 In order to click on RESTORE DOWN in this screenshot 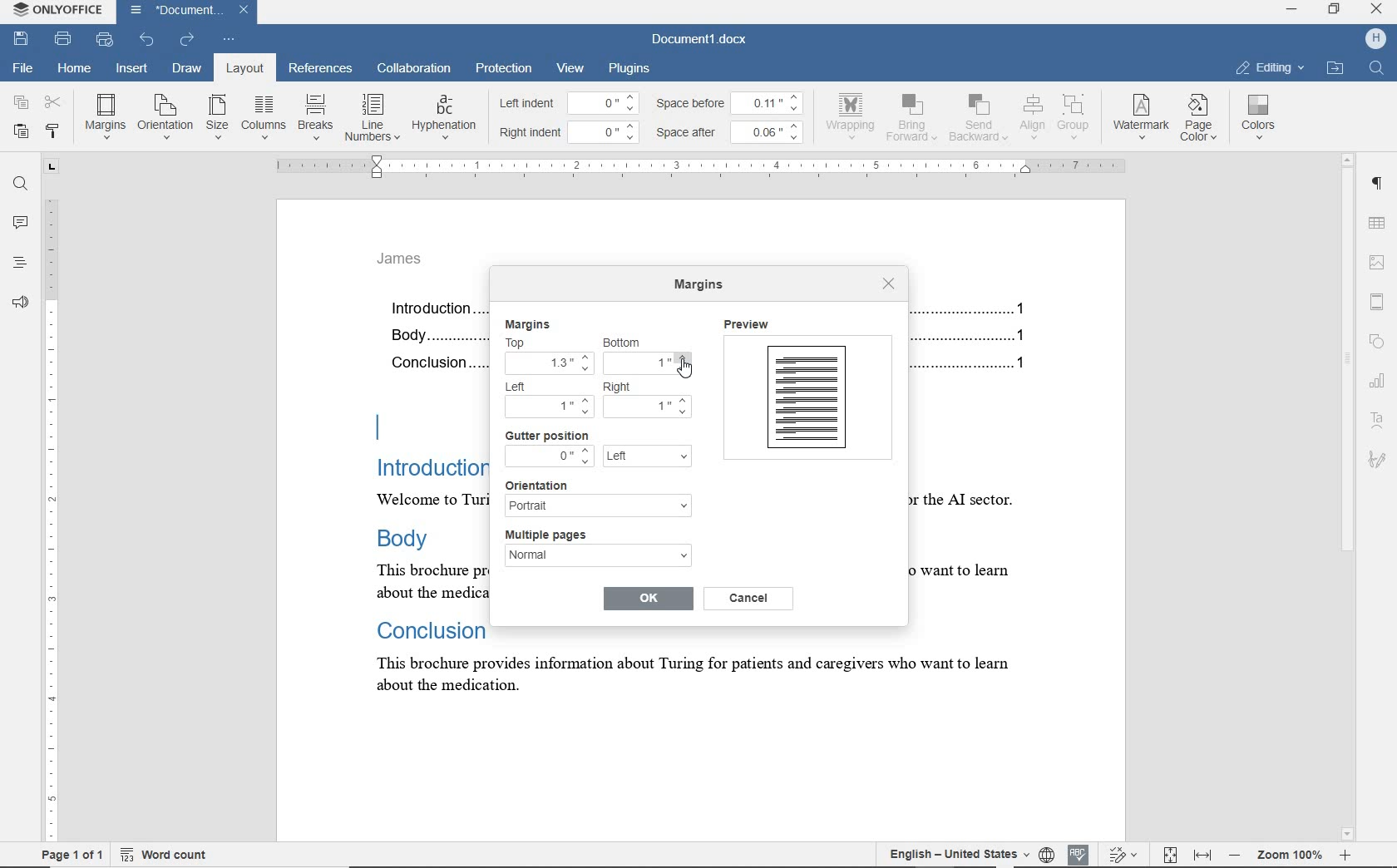, I will do `click(1337, 11)`.